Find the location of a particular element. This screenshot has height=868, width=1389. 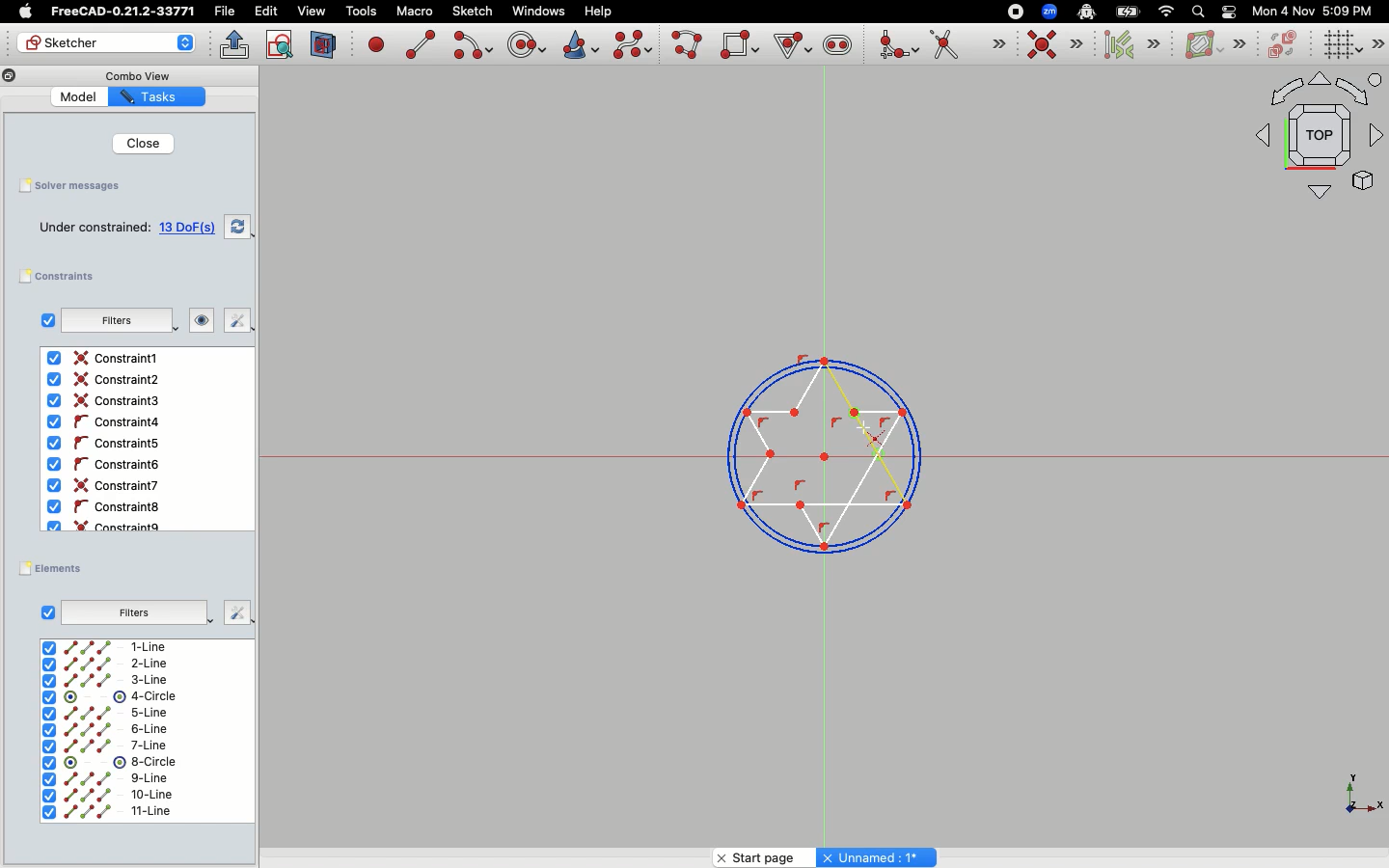

FreeCAD-0.21.2-33771 is located at coordinates (123, 12).